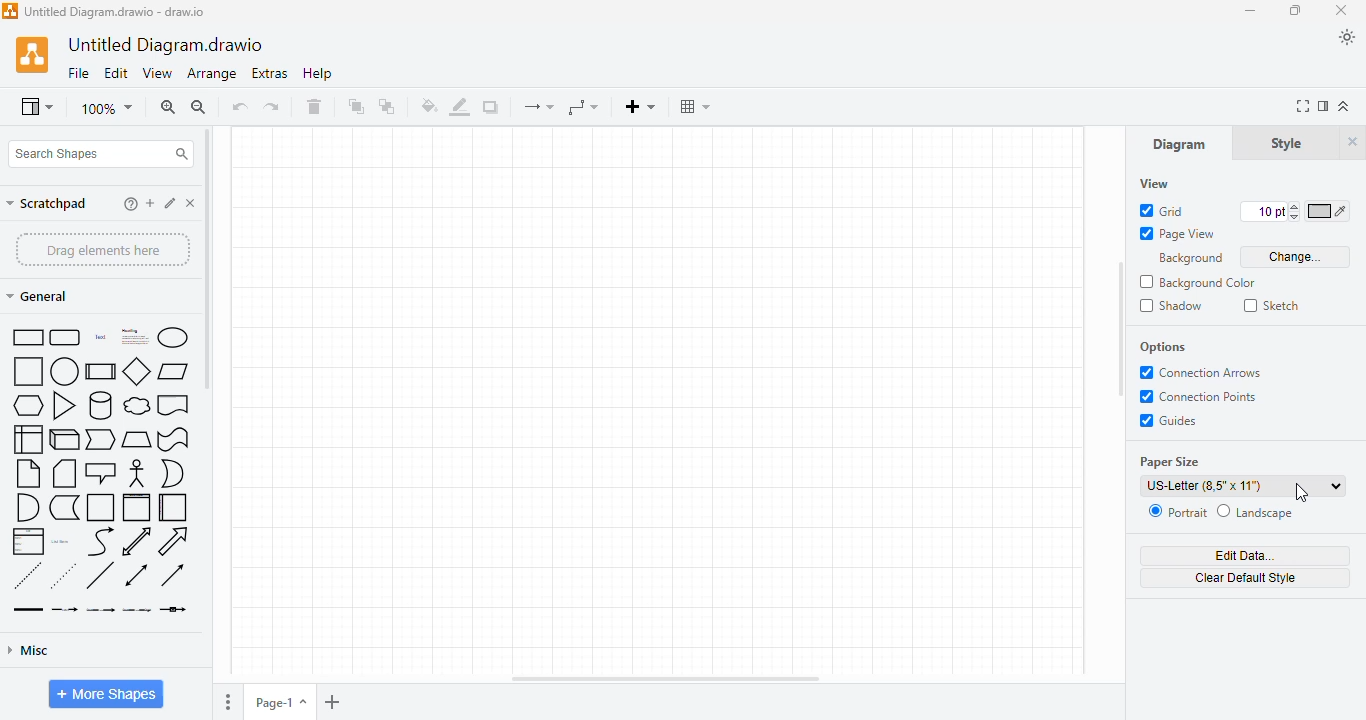  What do you see at coordinates (64, 439) in the screenshot?
I see `cube` at bounding box center [64, 439].